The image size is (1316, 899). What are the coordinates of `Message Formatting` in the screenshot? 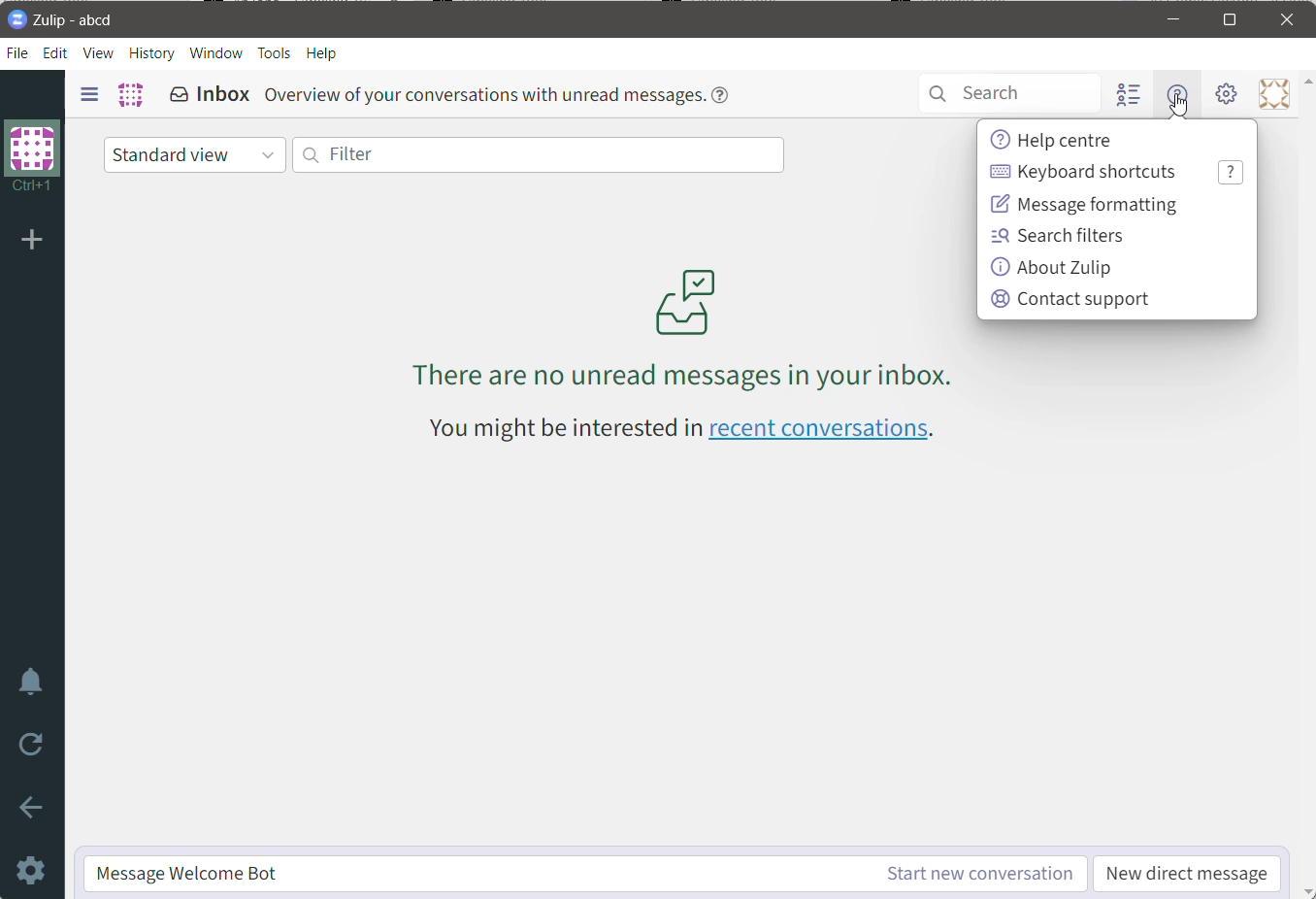 It's located at (1084, 204).